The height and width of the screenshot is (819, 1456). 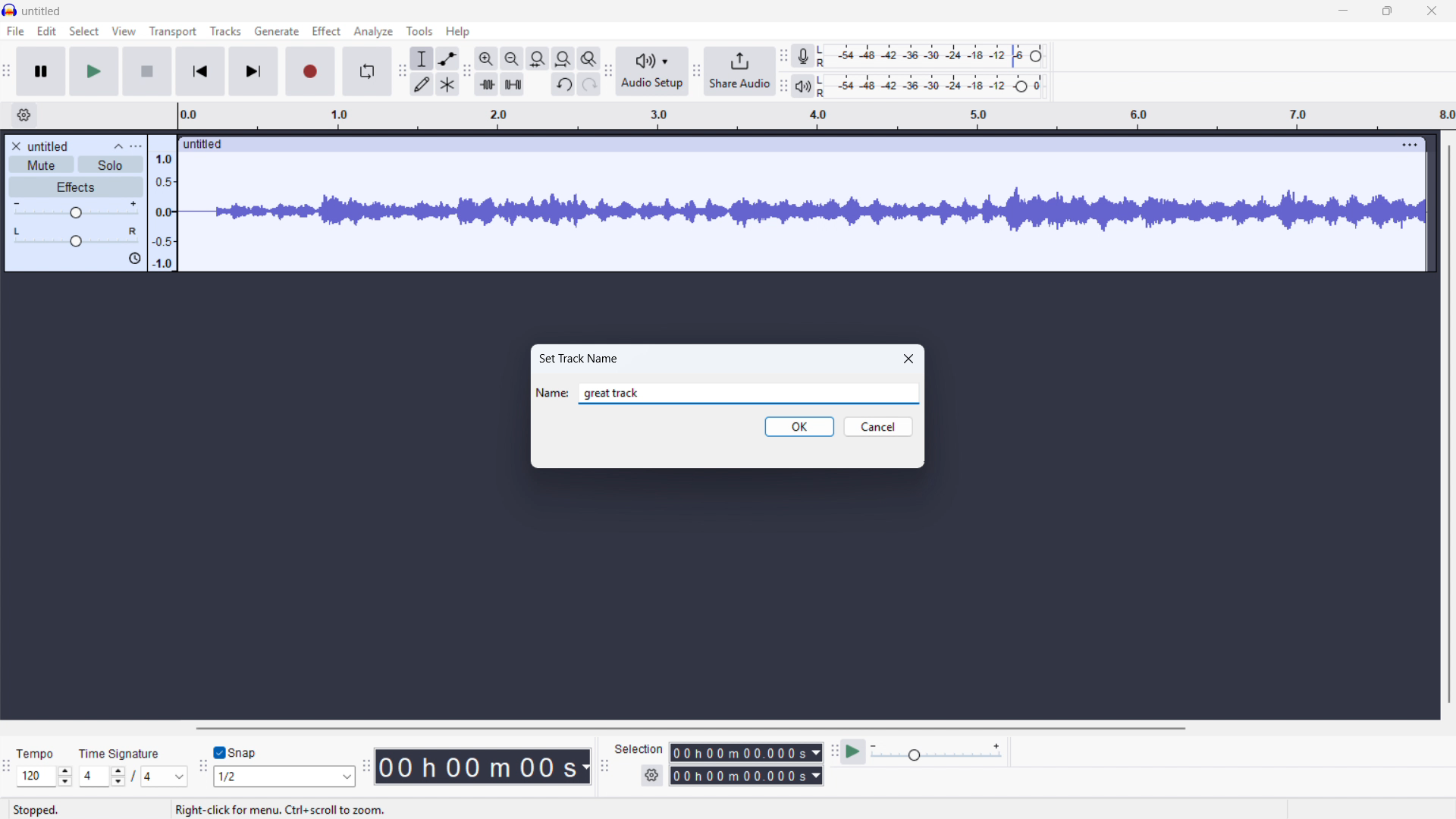 What do you see at coordinates (135, 259) in the screenshot?
I see `Sync lock on ` at bounding box center [135, 259].